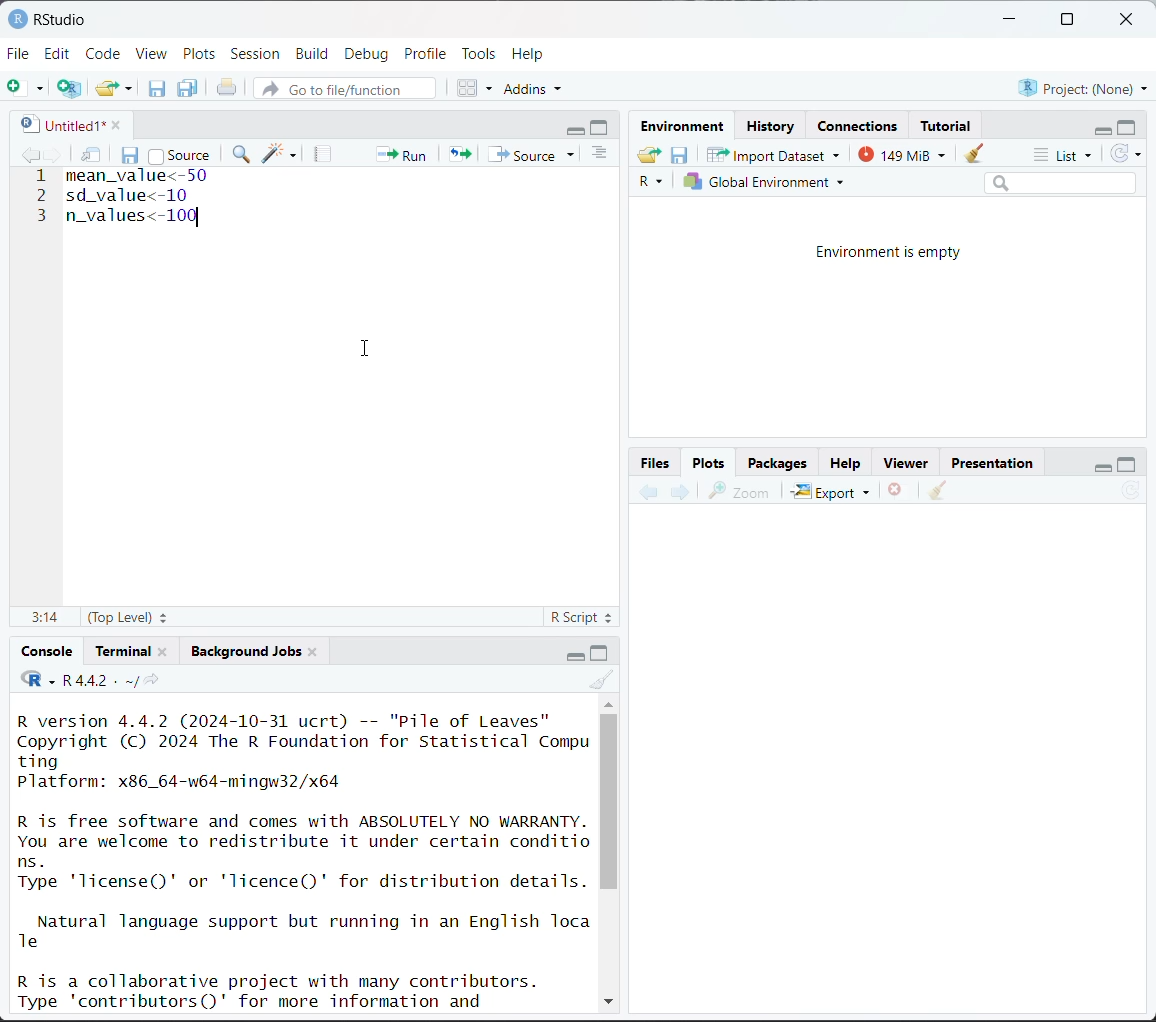 This screenshot has height=1022, width=1156. I want to click on maximize, so click(1066, 20).